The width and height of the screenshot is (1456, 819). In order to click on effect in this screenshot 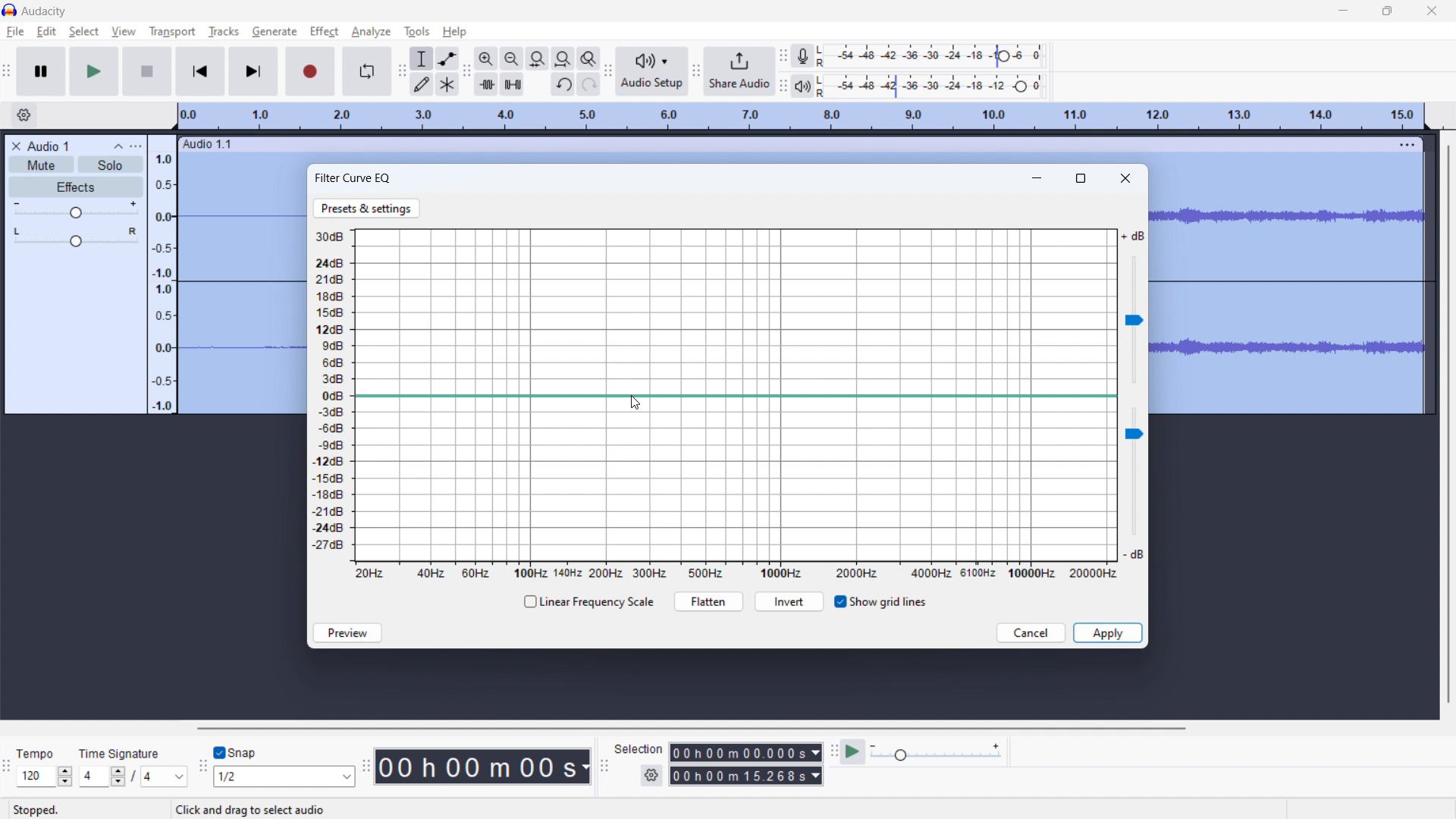, I will do `click(324, 32)`.